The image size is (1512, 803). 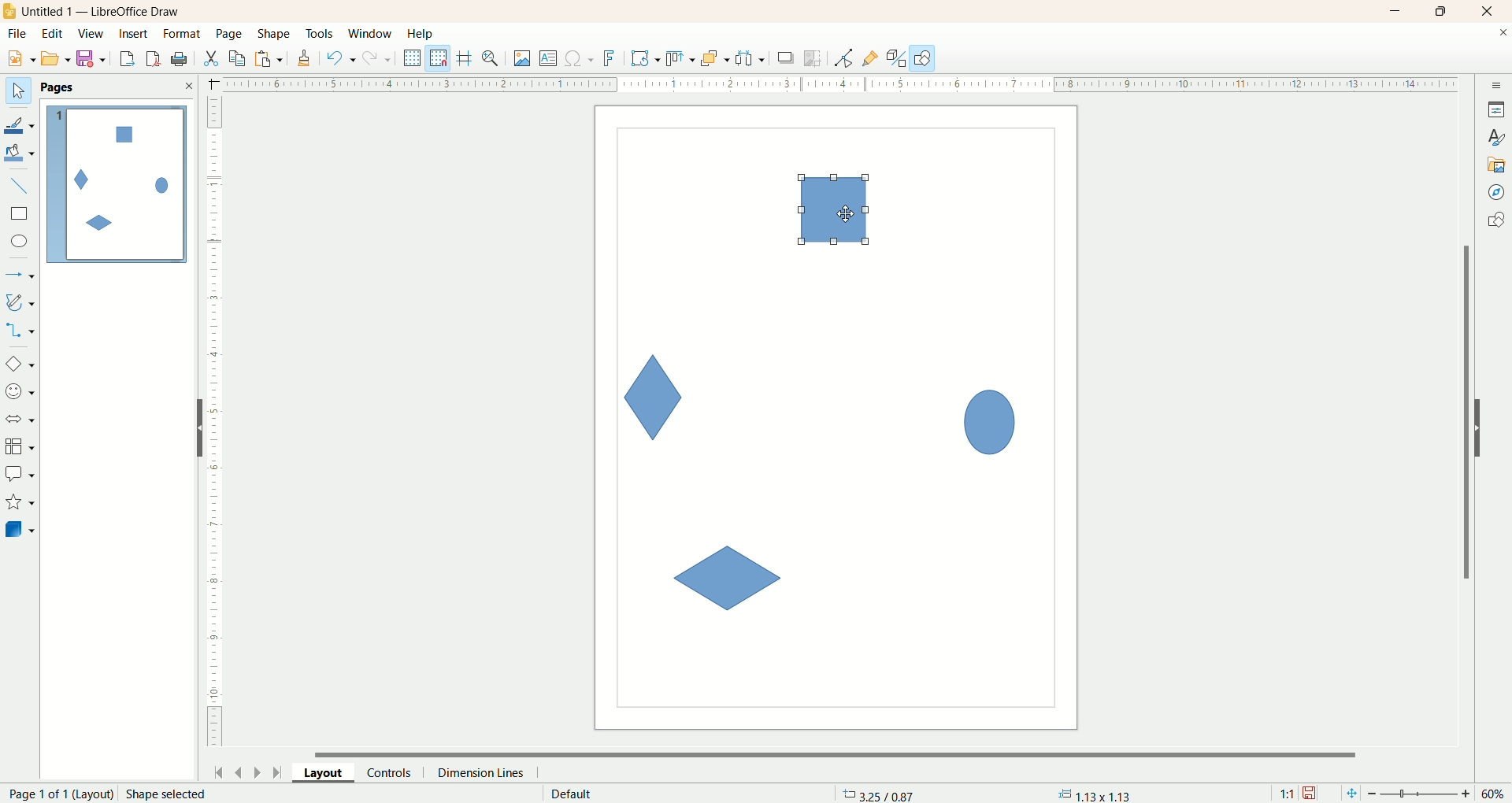 What do you see at coordinates (56, 58) in the screenshot?
I see `open` at bounding box center [56, 58].